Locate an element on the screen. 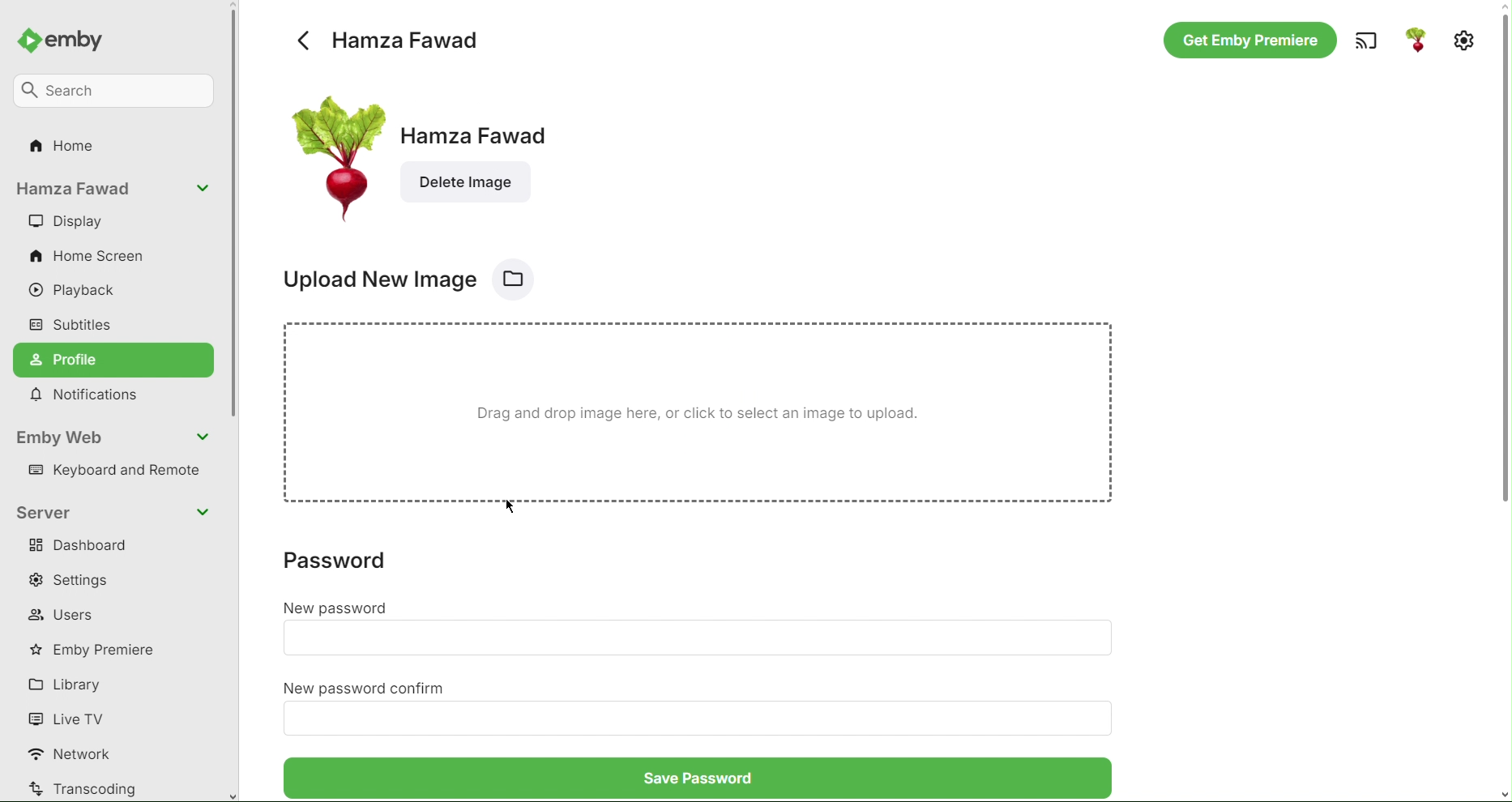  Upload is located at coordinates (705, 418).